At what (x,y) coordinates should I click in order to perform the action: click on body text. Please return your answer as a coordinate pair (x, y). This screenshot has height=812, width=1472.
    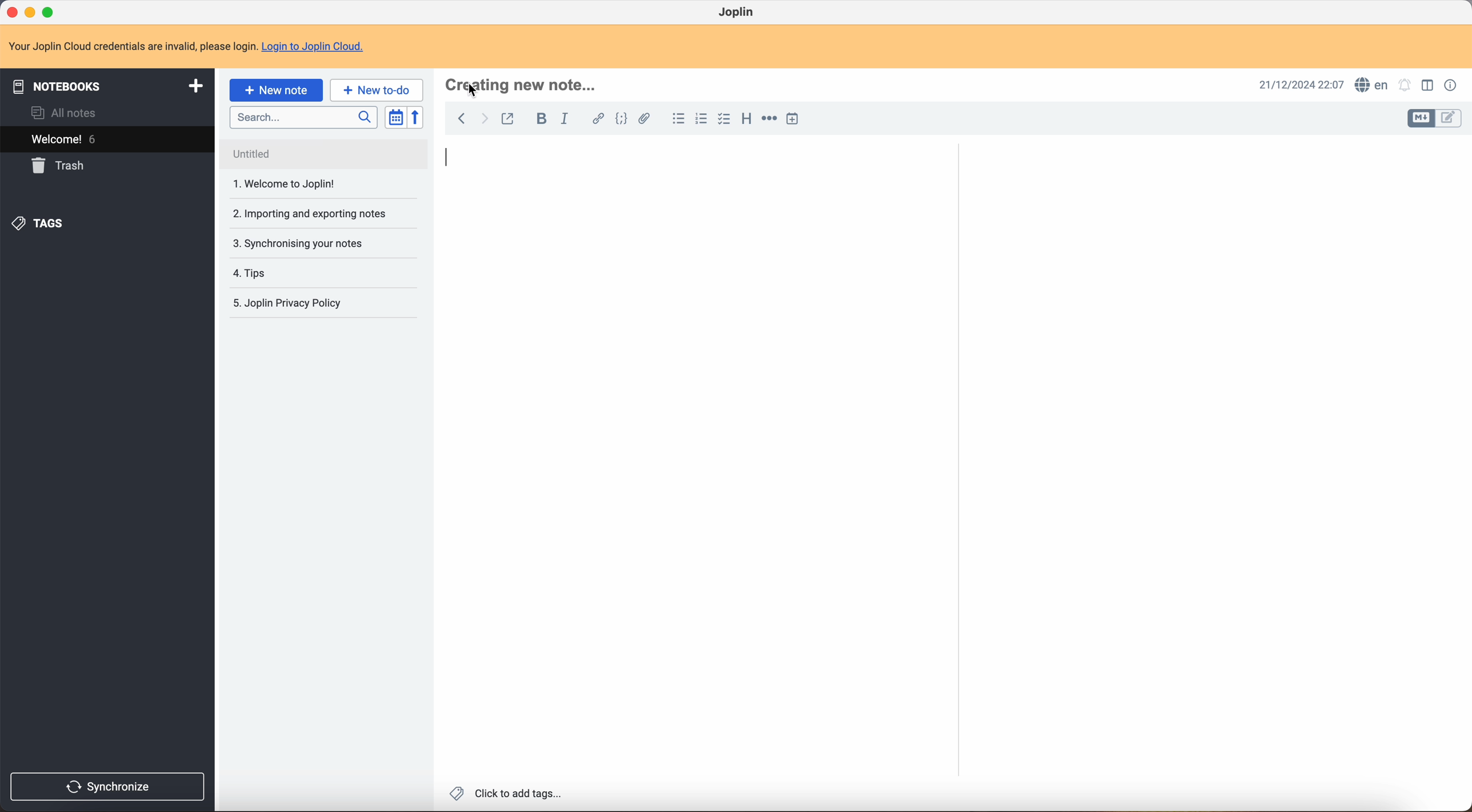
    Looking at the image, I should click on (1210, 432).